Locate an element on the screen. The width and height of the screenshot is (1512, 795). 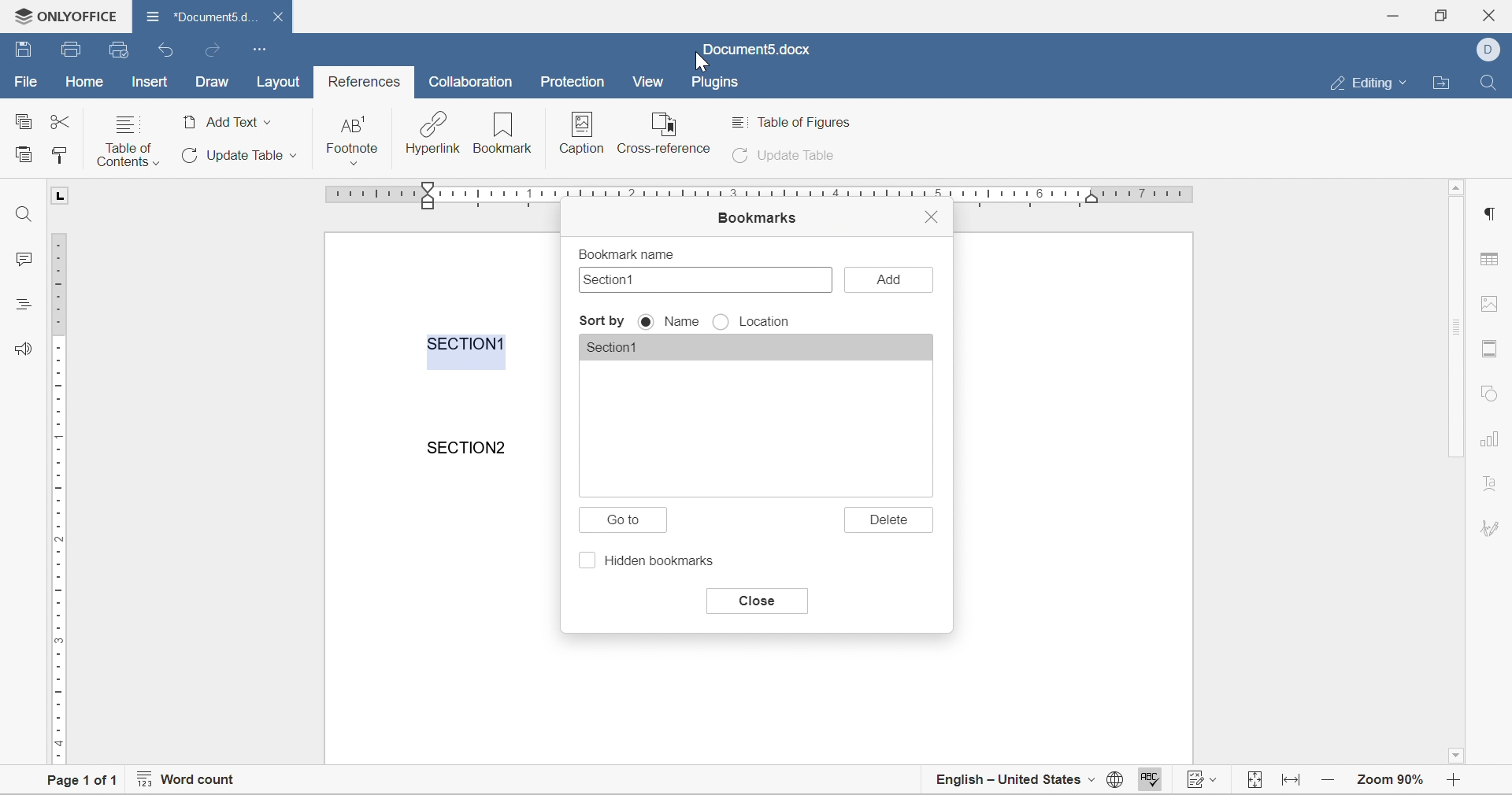
insert is located at coordinates (148, 81).